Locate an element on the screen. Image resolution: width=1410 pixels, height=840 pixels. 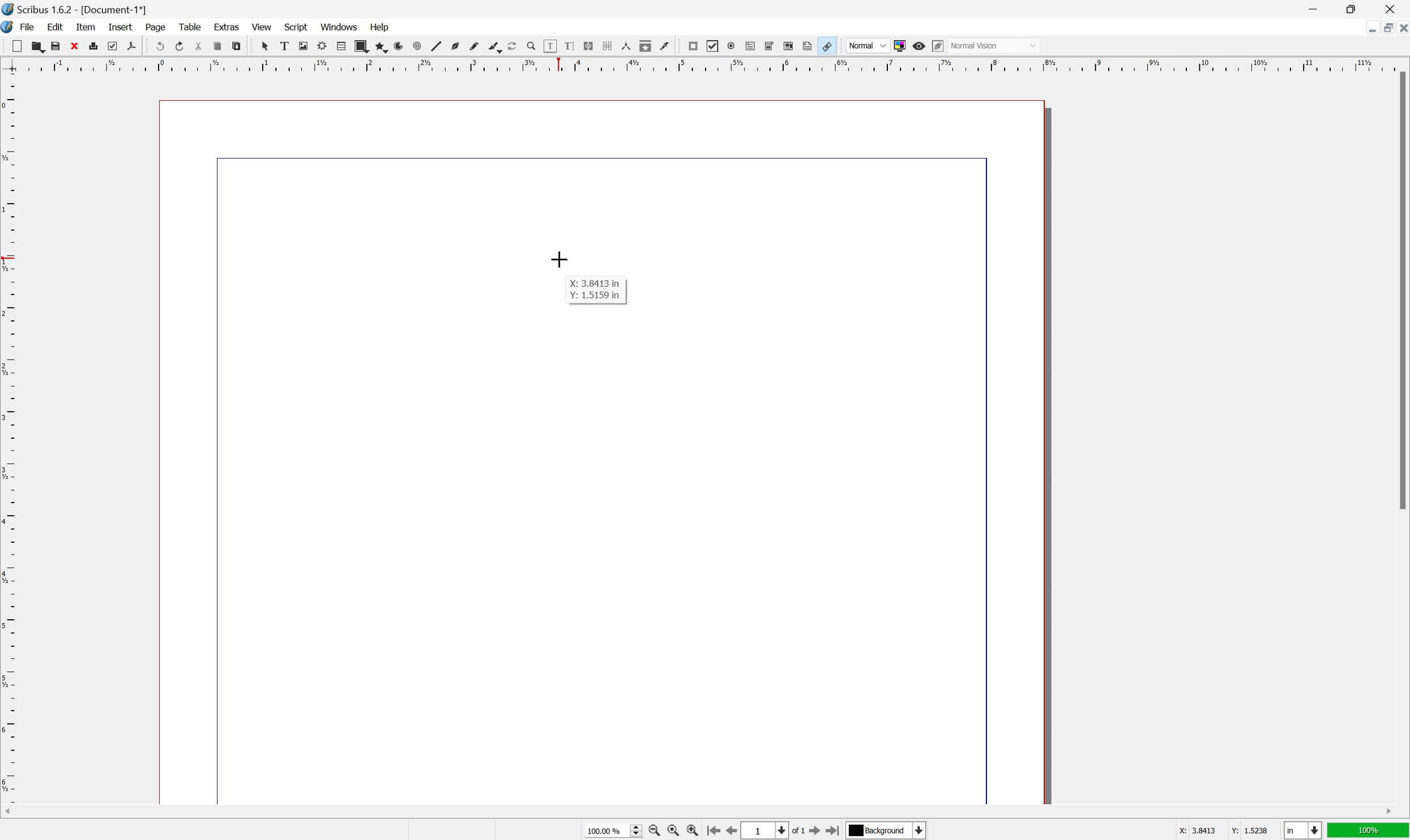
select current layer is located at coordinates (888, 831).